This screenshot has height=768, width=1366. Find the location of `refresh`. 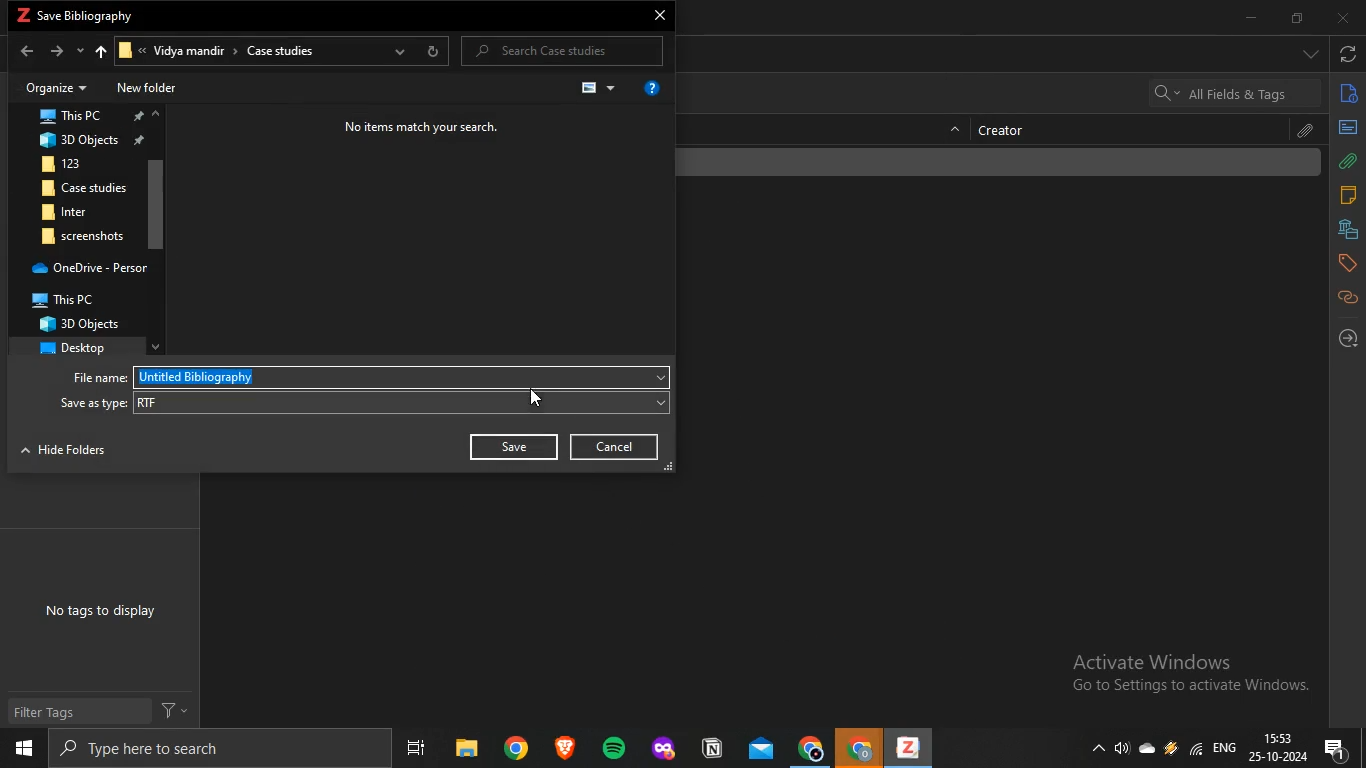

refresh is located at coordinates (433, 50).